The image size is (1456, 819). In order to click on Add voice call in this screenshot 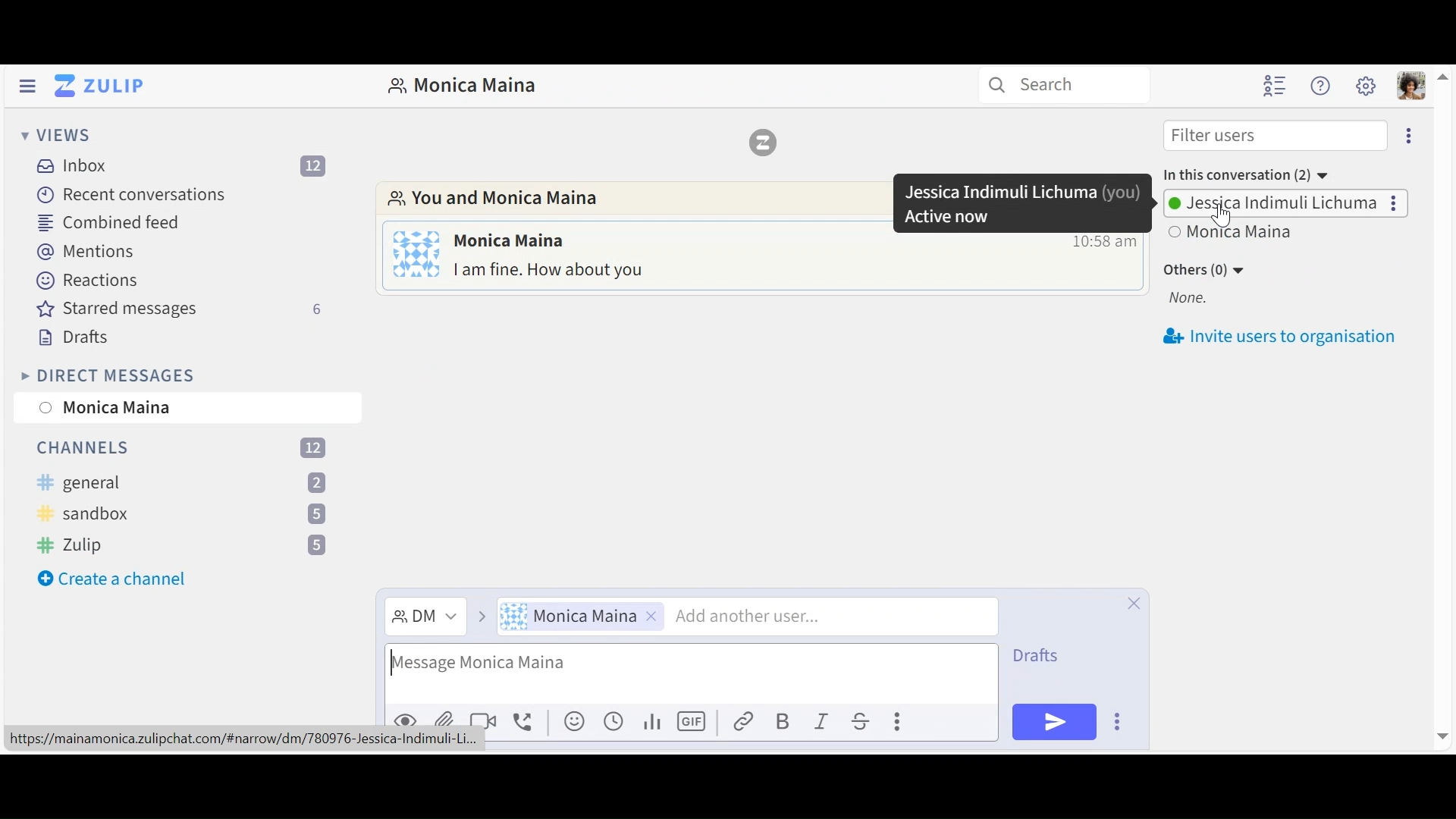, I will do `click(527, 723)`.